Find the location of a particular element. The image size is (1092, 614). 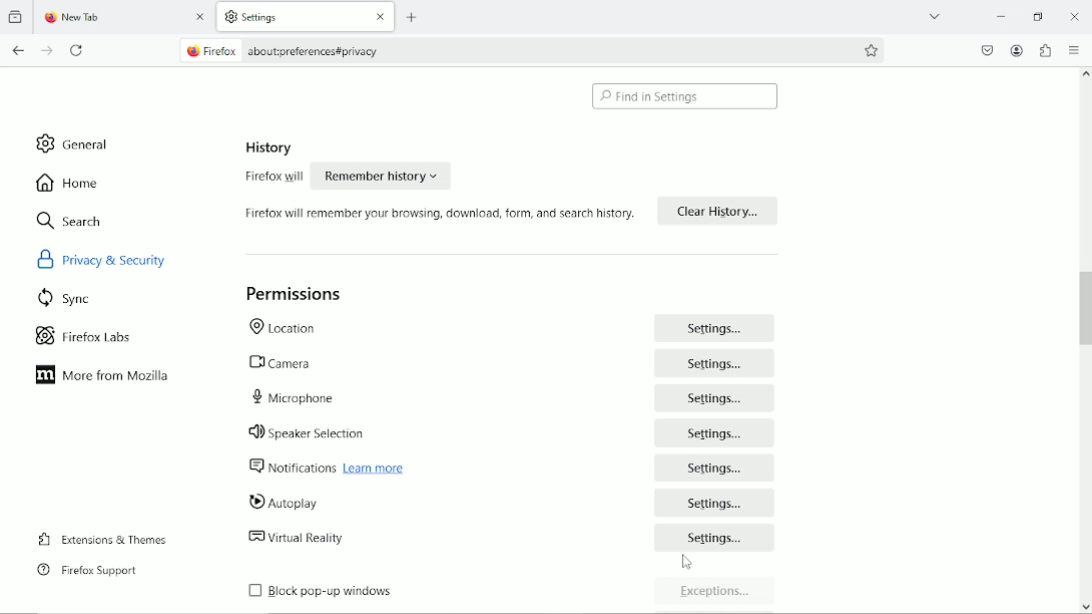

notifications is located at coordinates (289, 465).